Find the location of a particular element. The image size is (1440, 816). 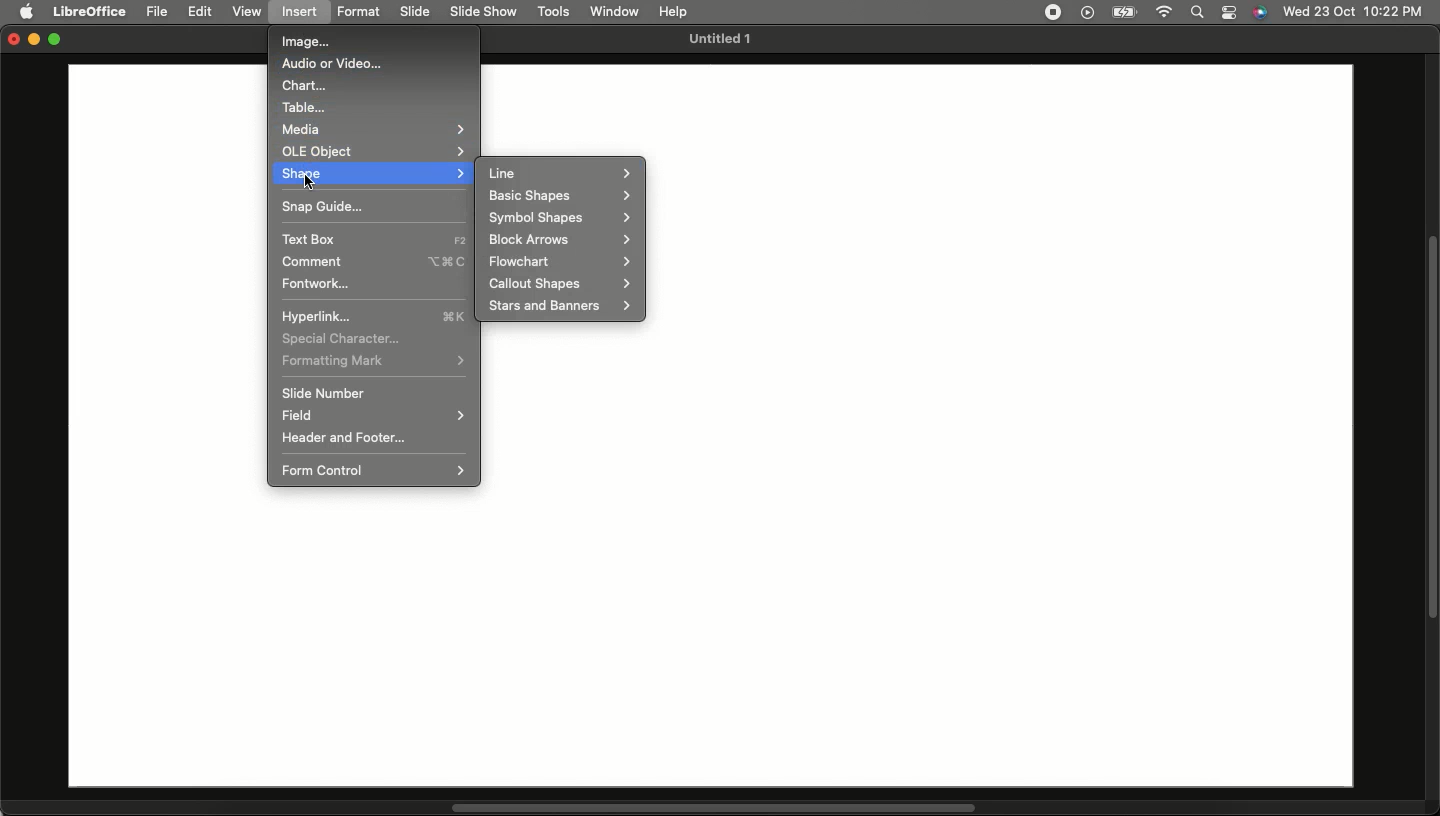

Fontwork is located at coordinates (316, 283).